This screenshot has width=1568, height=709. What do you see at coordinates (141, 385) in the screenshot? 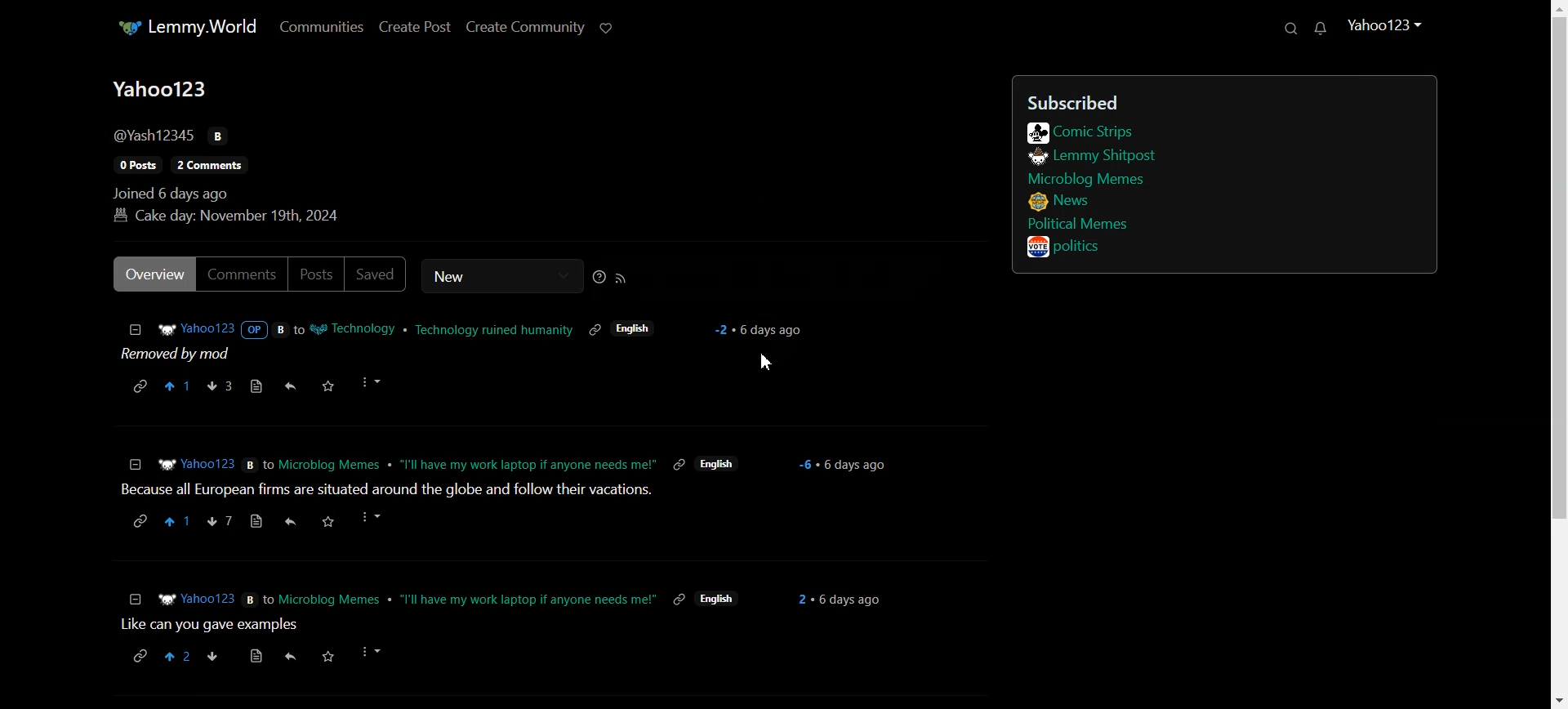
I see `Hyperlink` at bounding box center [141, 385].